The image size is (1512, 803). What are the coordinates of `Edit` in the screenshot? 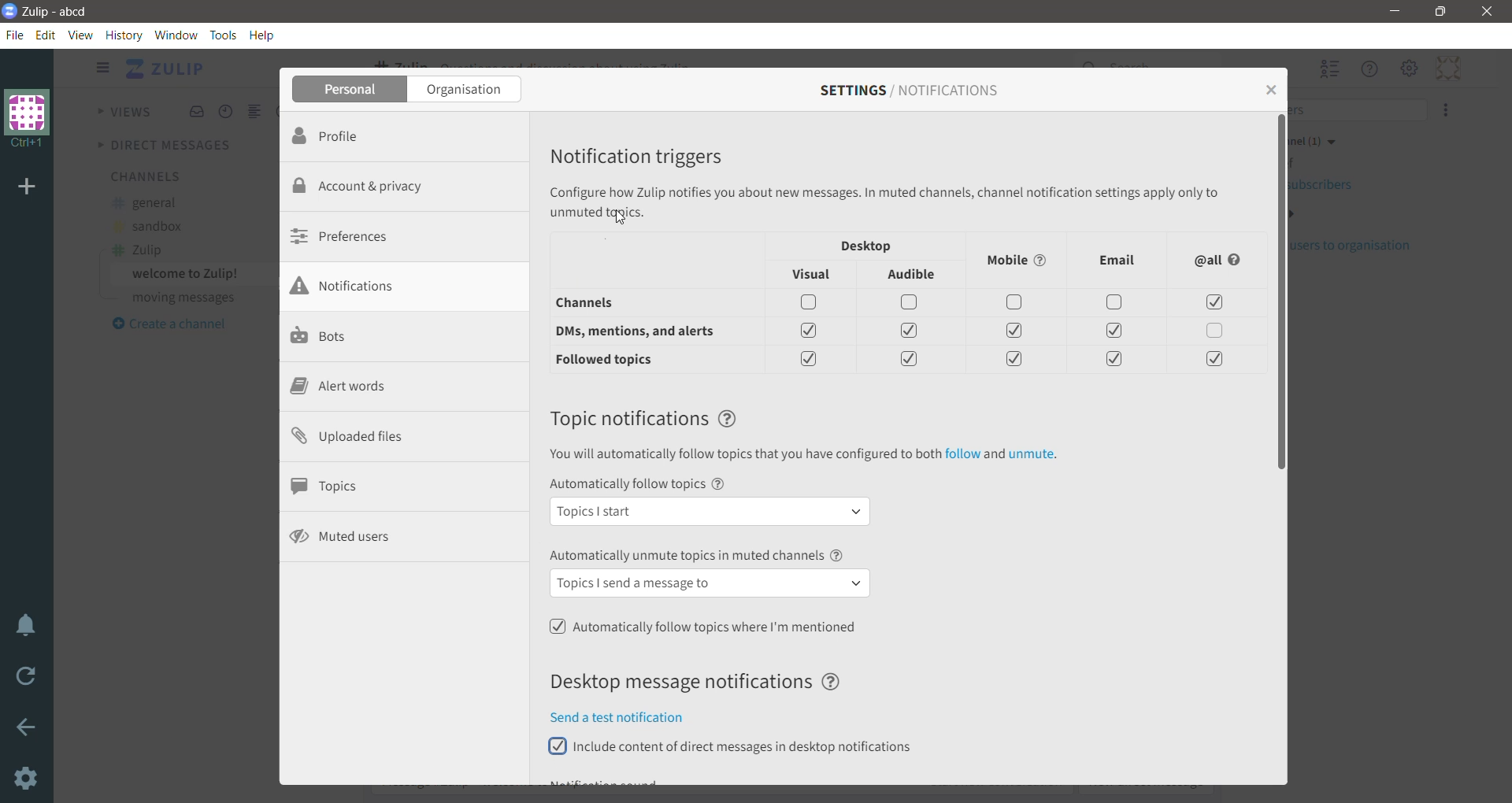 It's located at (48, 35).